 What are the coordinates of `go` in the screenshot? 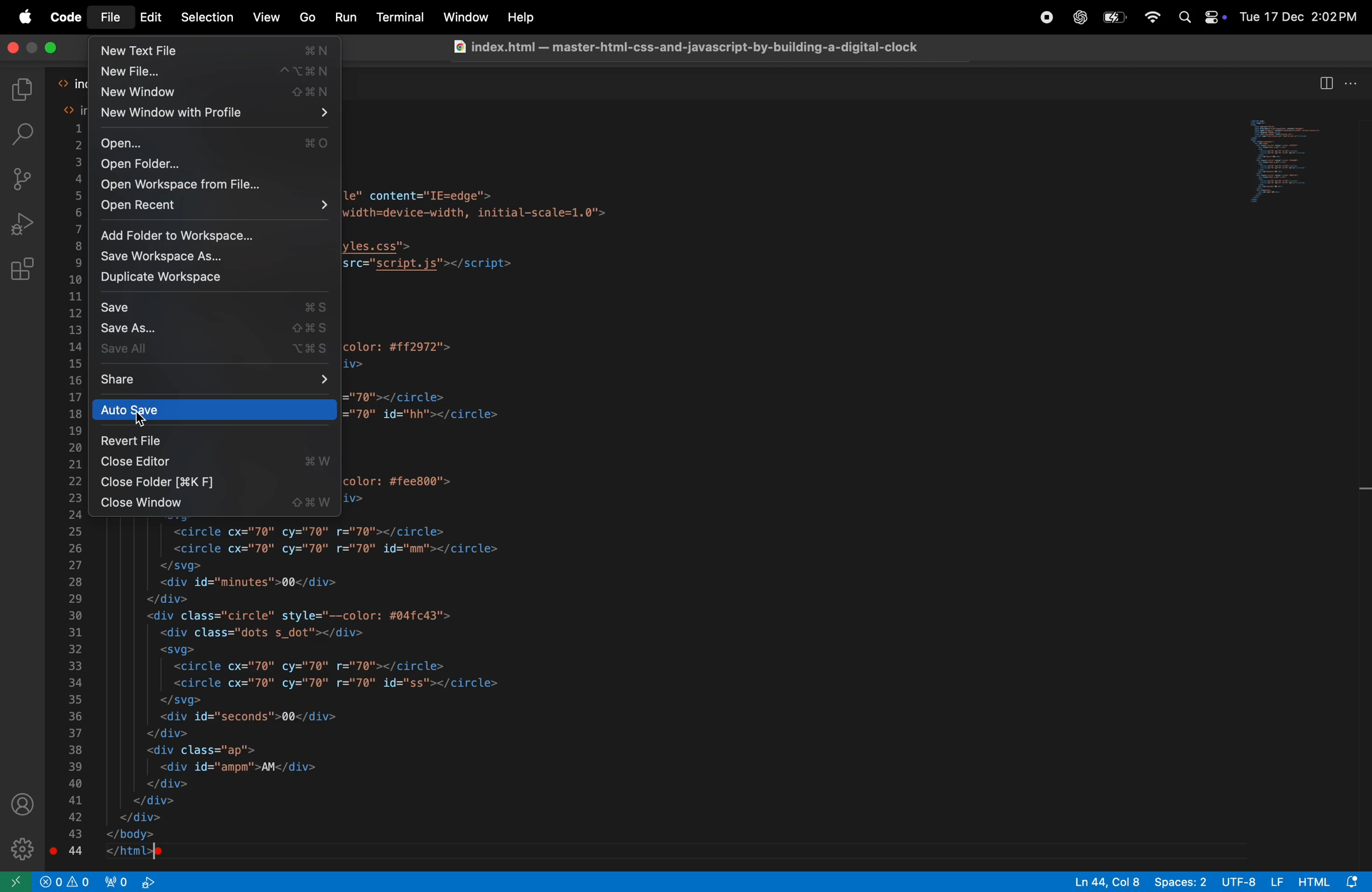 It's located at (309, 18).